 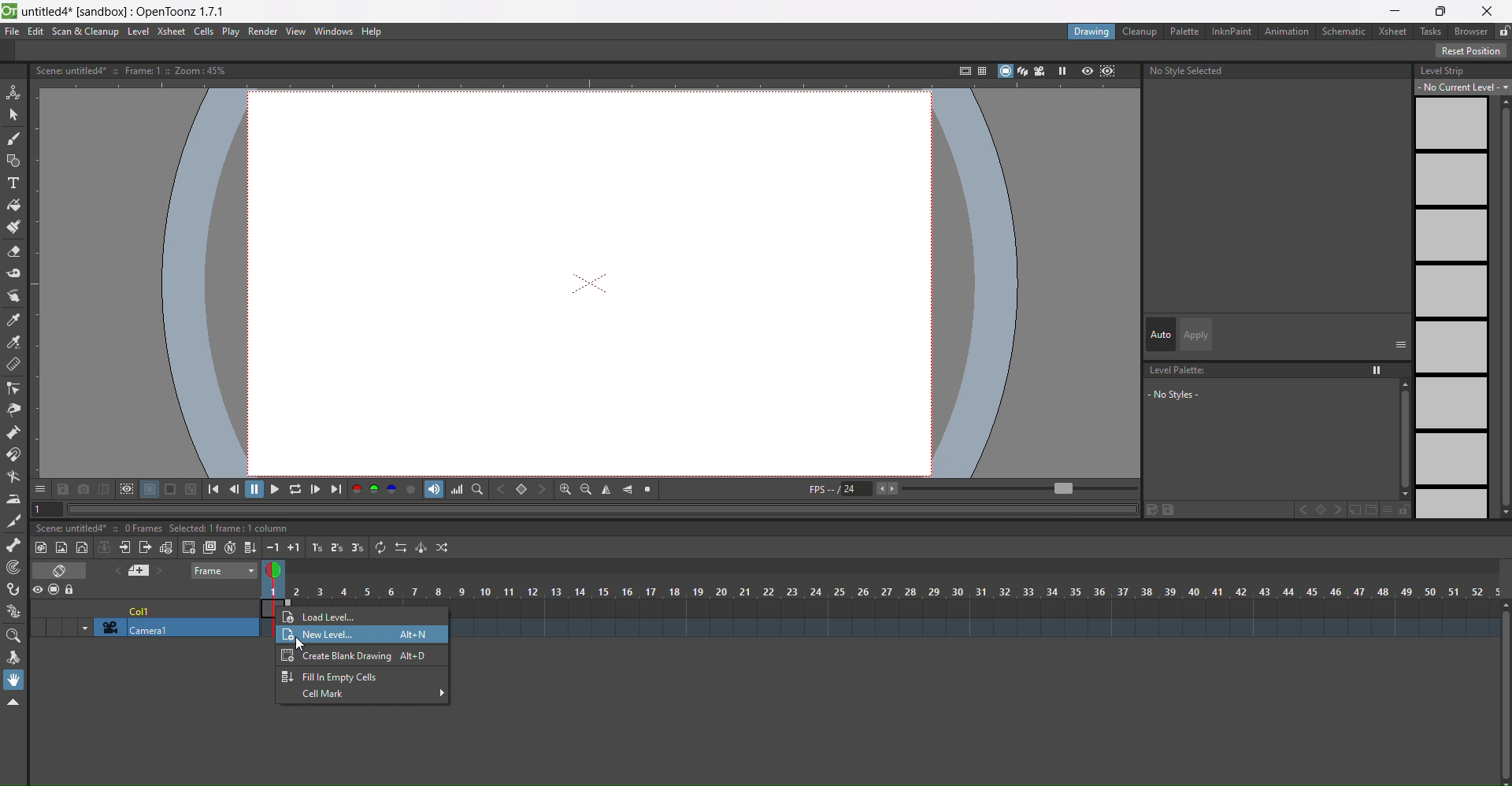 What do you see at coordinates (150, 489) in the screenshot?
I see `tool` at bounding box center [150, 489].